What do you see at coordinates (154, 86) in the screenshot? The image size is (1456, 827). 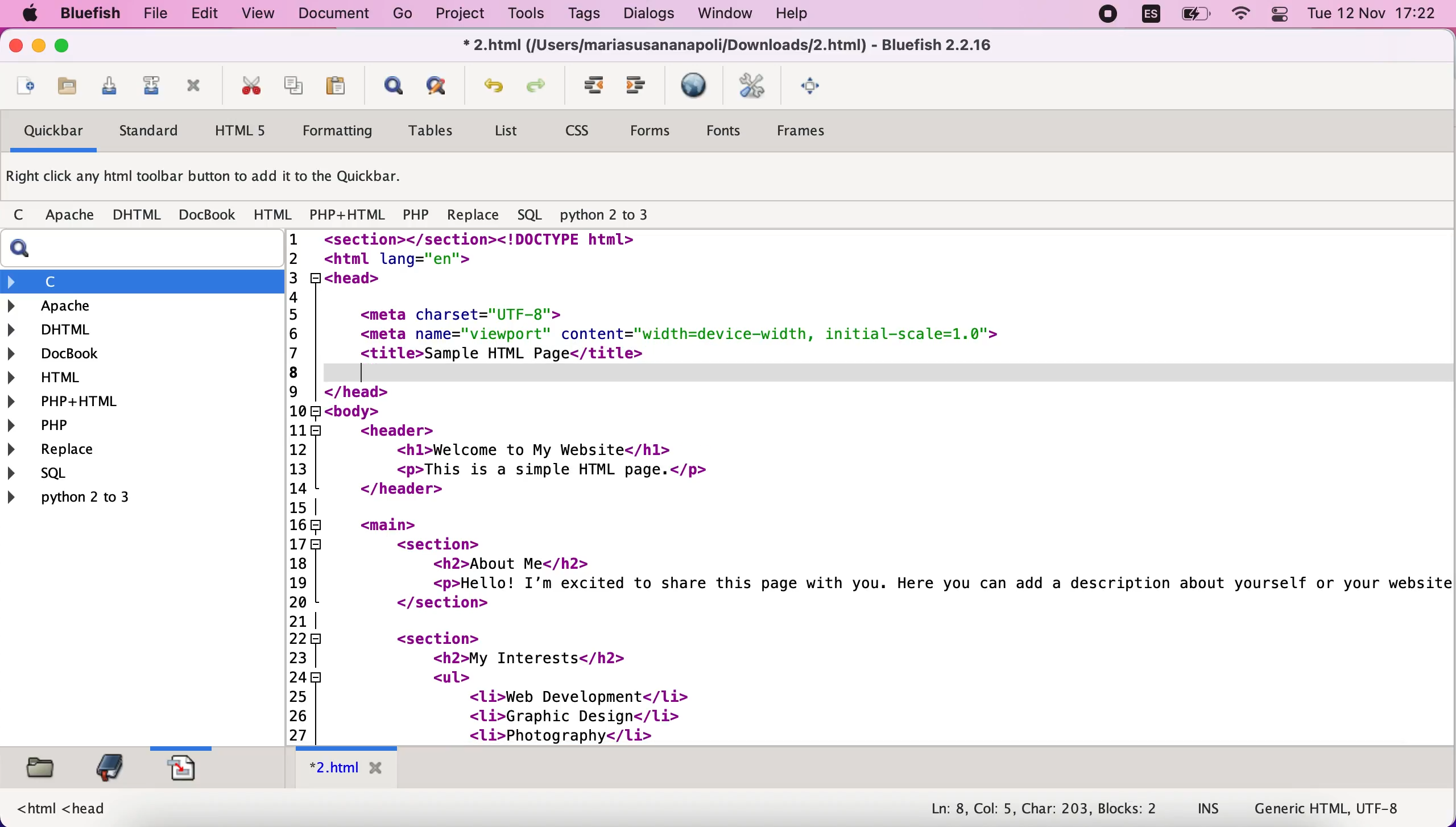 I see `save file as` at bounding box center [154, 86].